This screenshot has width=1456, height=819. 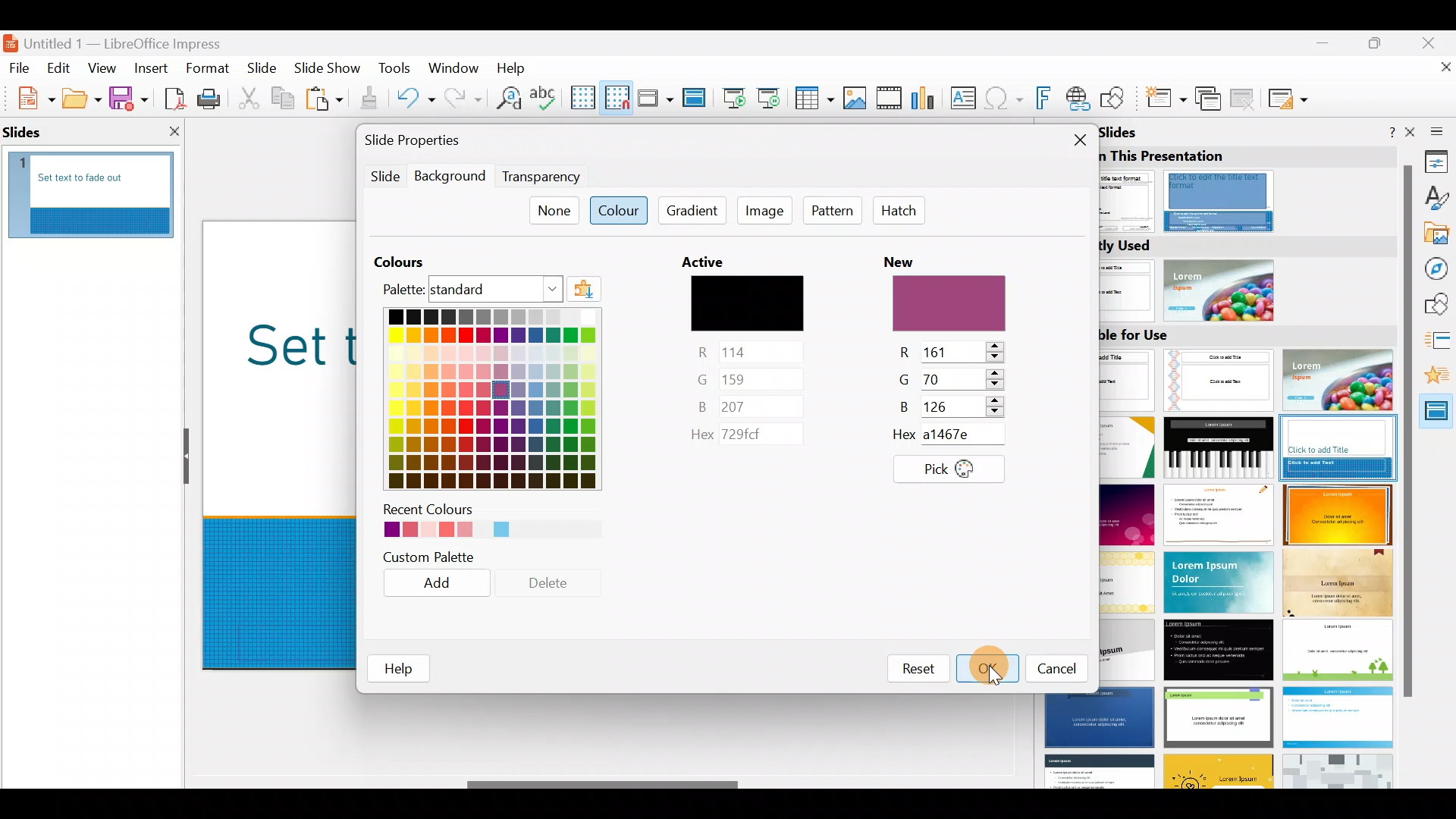 What do you see at coordinates (1116, 99) in the screenshot?
I see `Show draw functions` at bounding box center [1116, 99].